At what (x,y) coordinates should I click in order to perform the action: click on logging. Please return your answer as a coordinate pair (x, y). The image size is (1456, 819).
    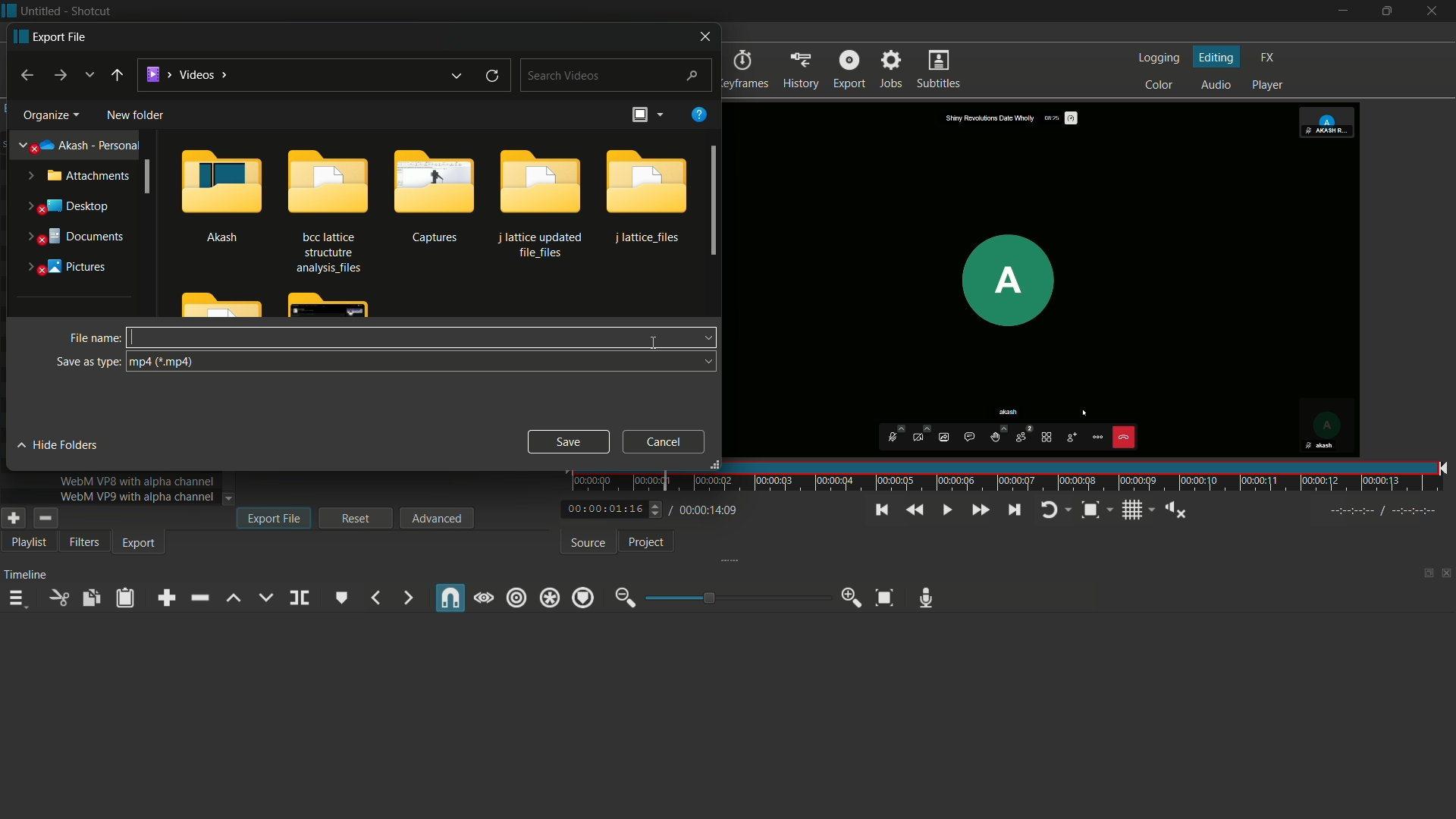
    Looking at the image, I should click on (1159, 58).